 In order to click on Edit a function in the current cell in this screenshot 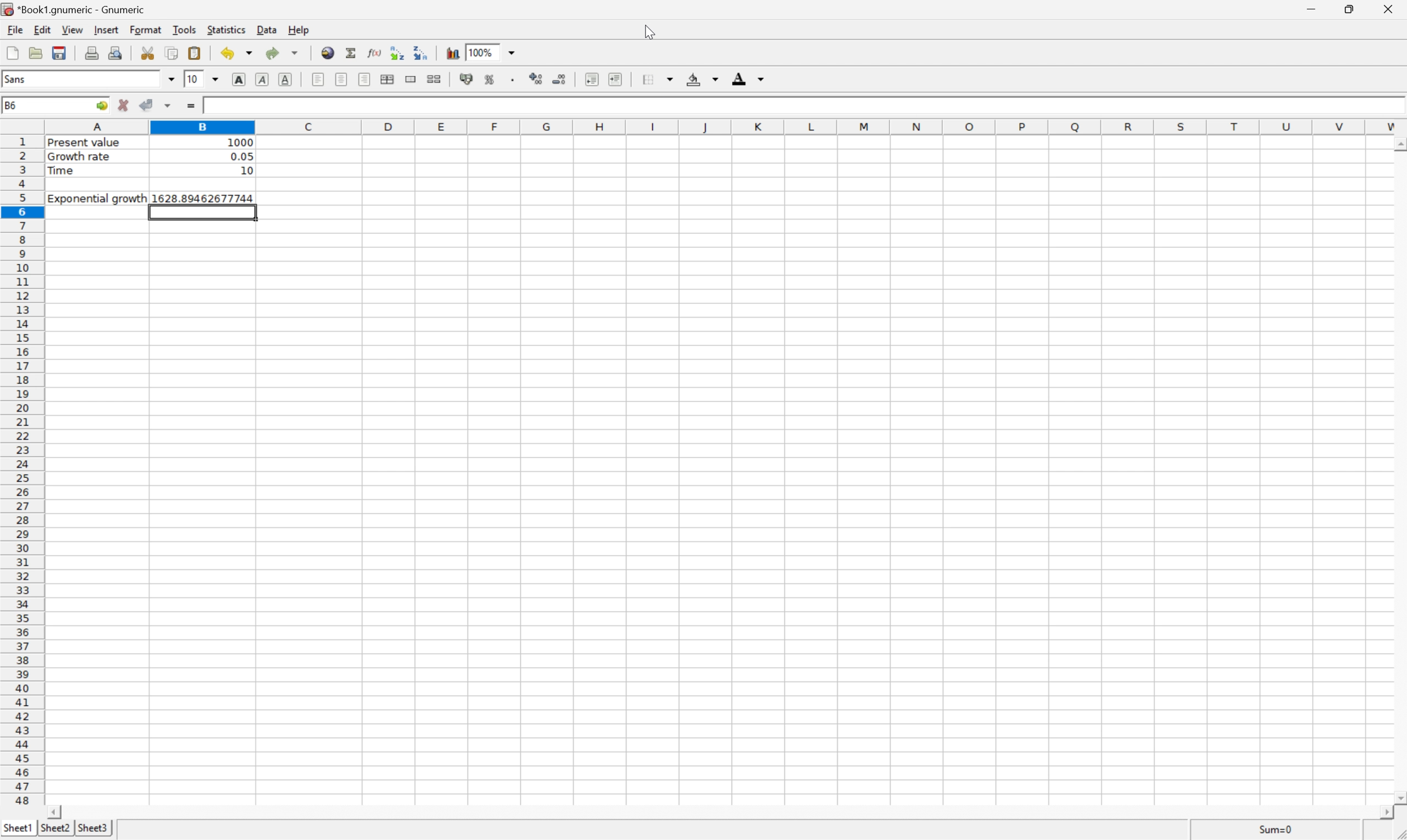, I will do `click(375, 52)`.